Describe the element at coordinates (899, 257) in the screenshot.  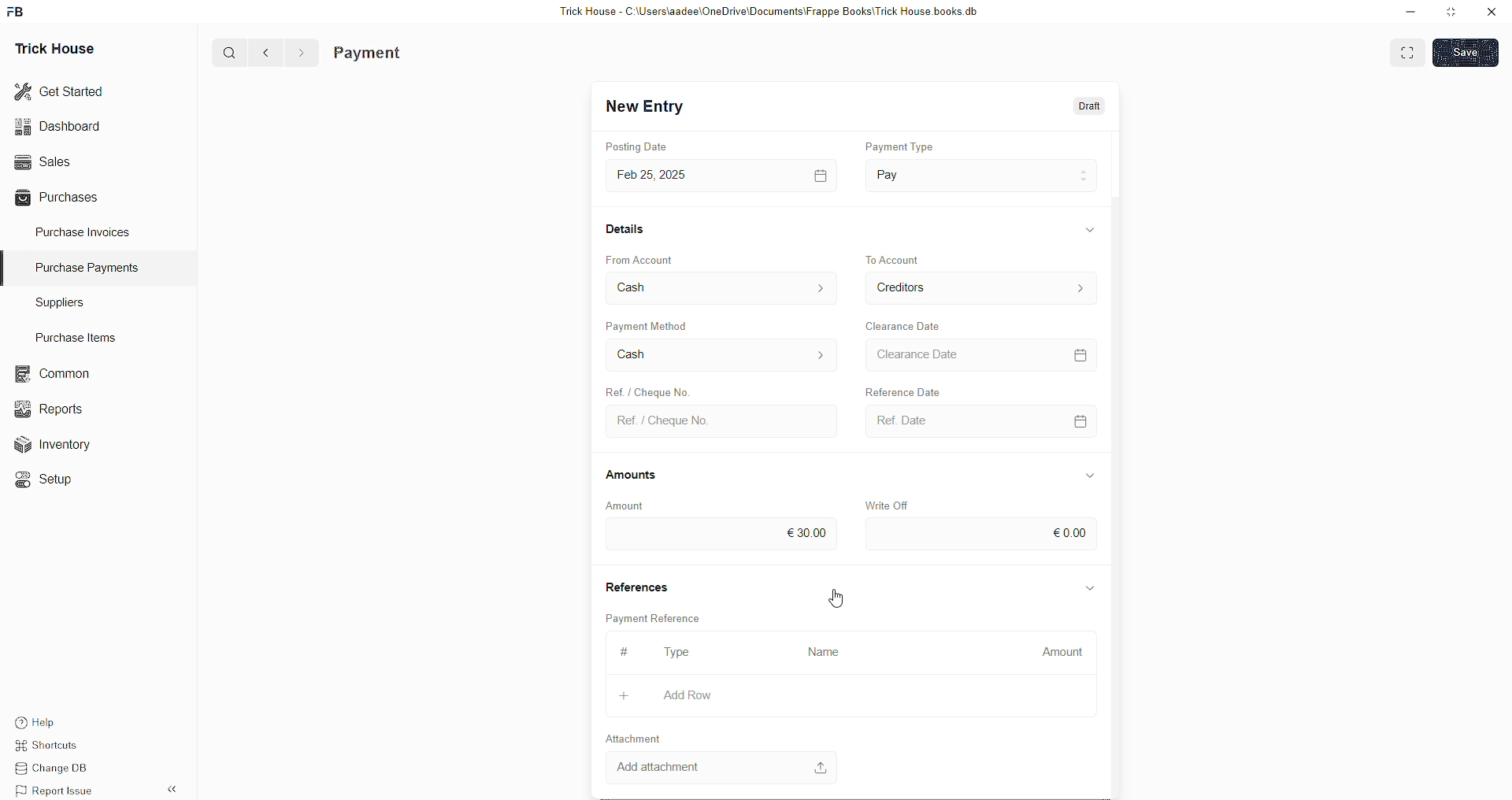
I see `to account` at that location.